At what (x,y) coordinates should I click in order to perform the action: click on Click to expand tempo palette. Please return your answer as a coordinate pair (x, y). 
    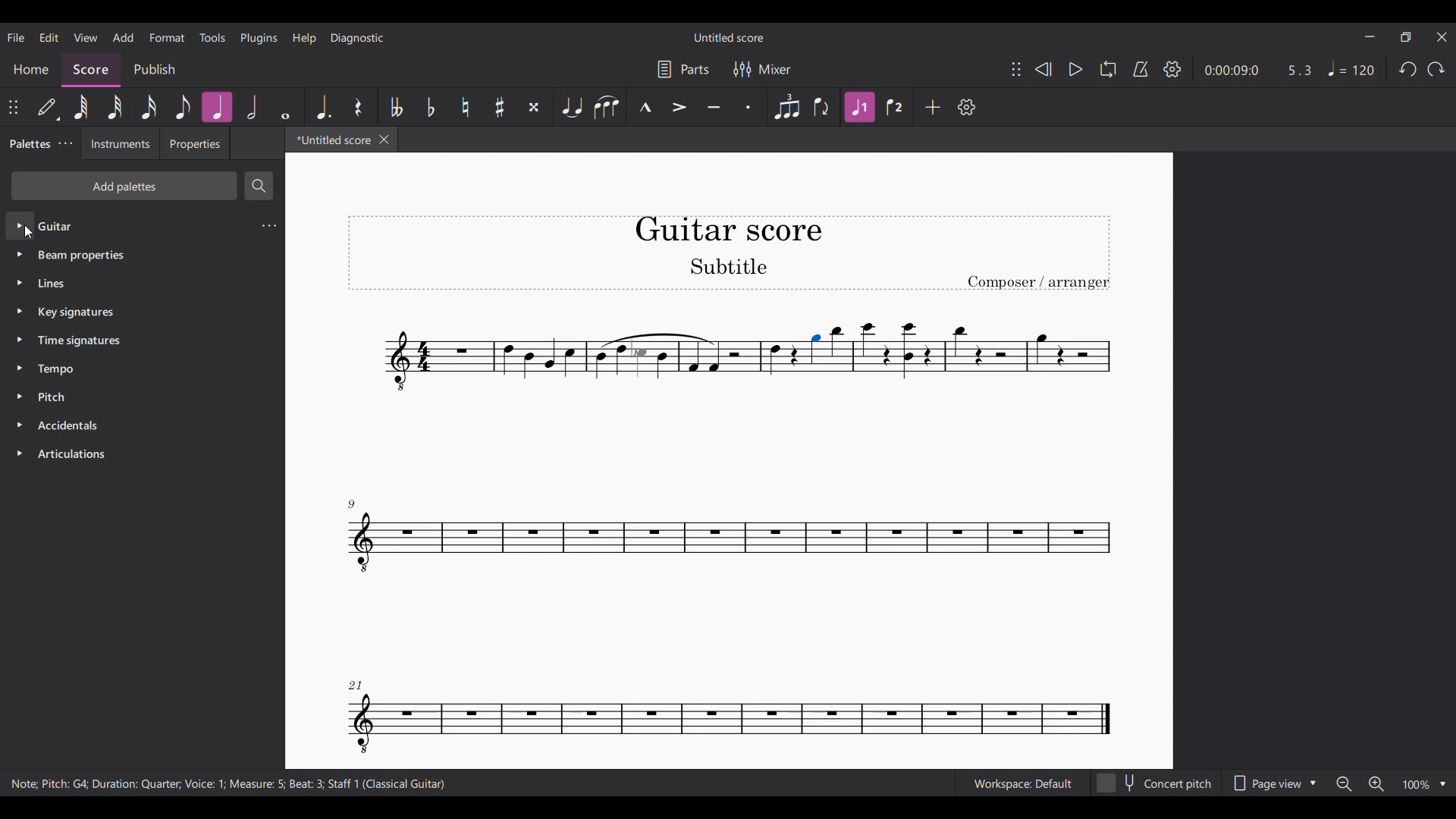
    Looking at the image, I should click on (19, 367).